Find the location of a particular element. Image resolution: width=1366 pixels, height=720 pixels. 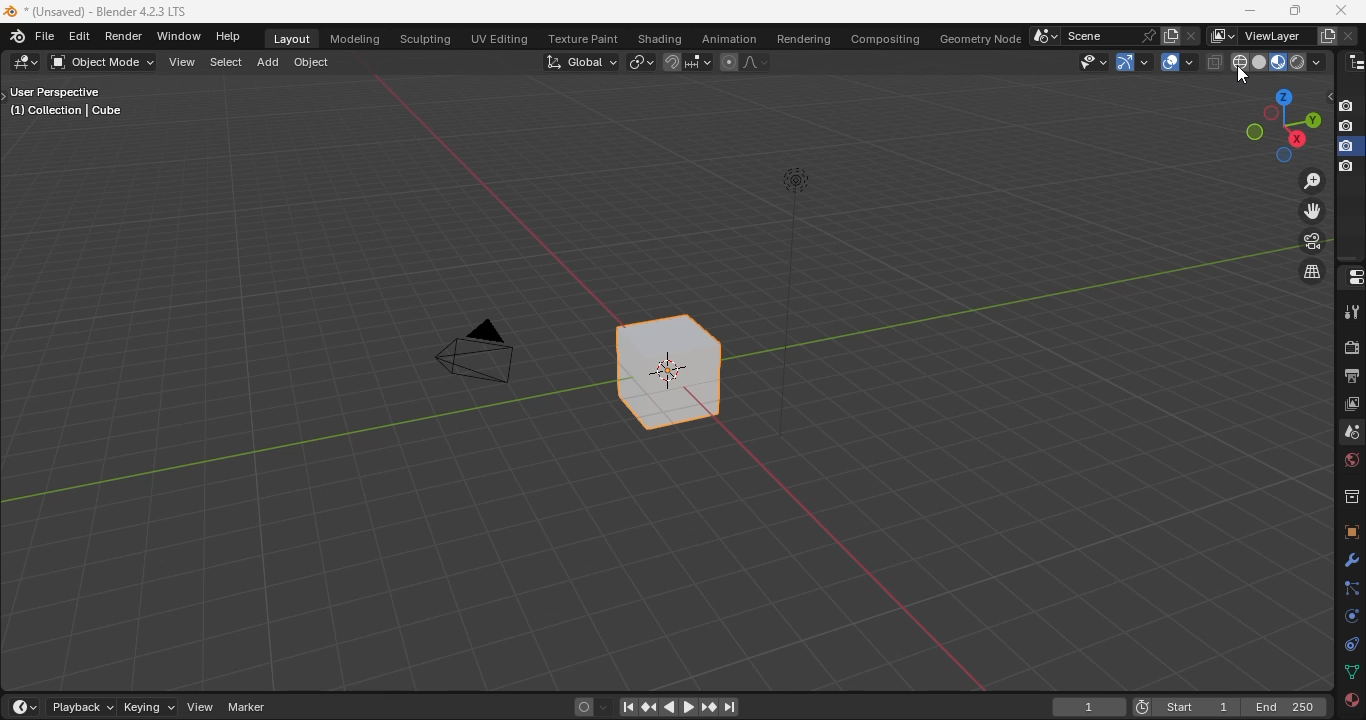

transform pivot table is located at coordinates (643, 63).